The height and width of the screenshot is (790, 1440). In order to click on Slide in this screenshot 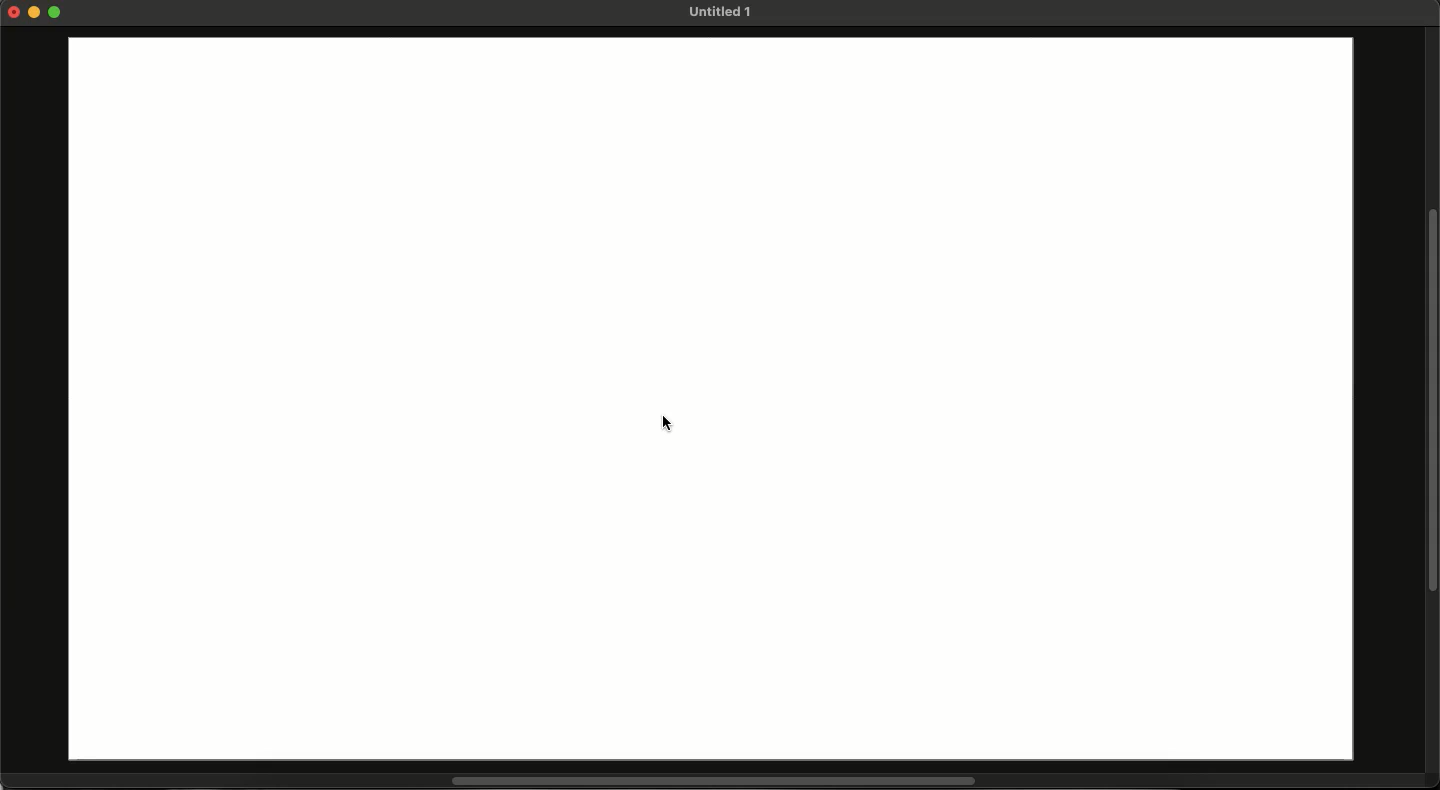, I will do `click(712, 401)`.